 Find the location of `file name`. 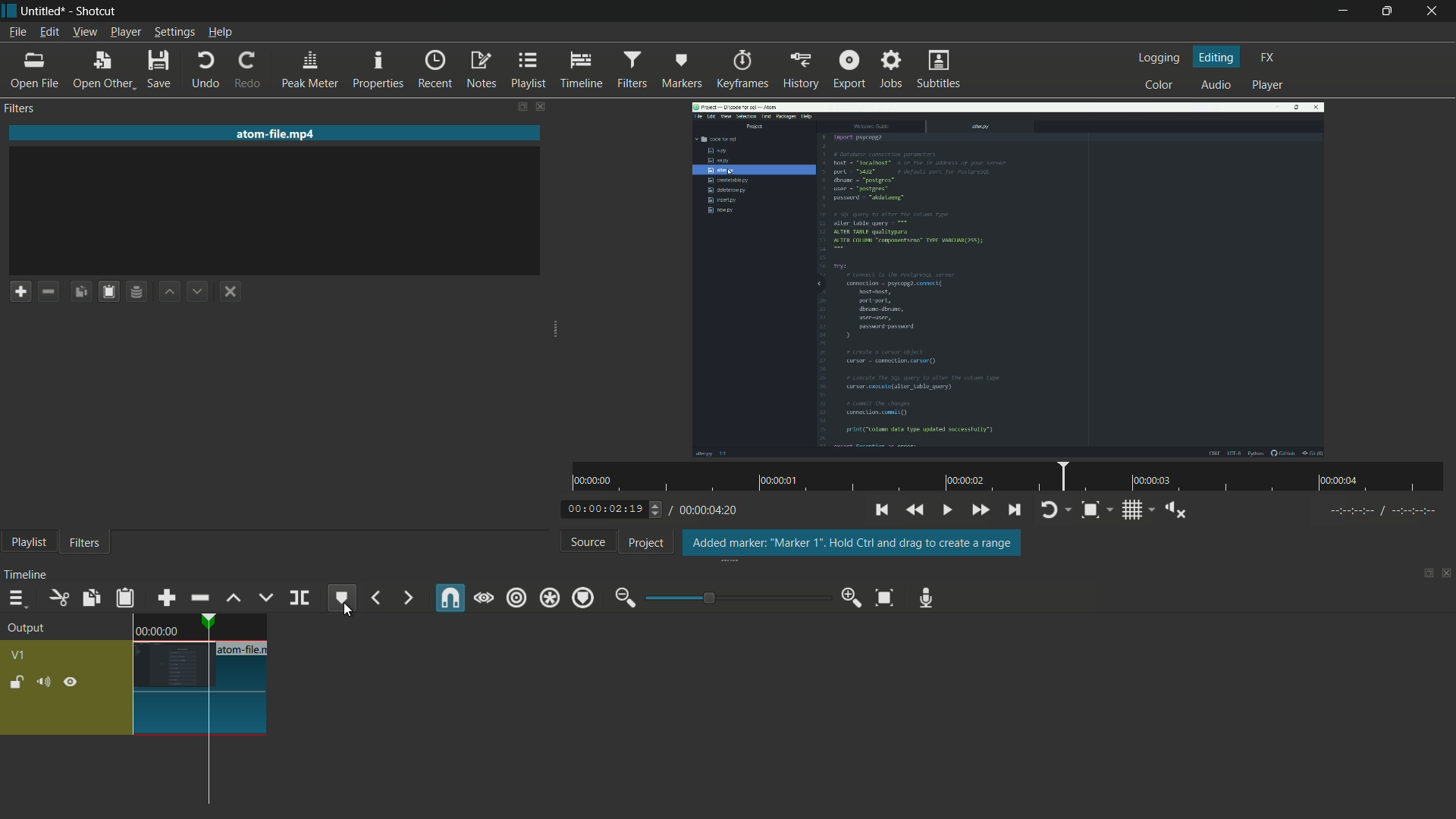

file name is located at coordinates (245, 649).